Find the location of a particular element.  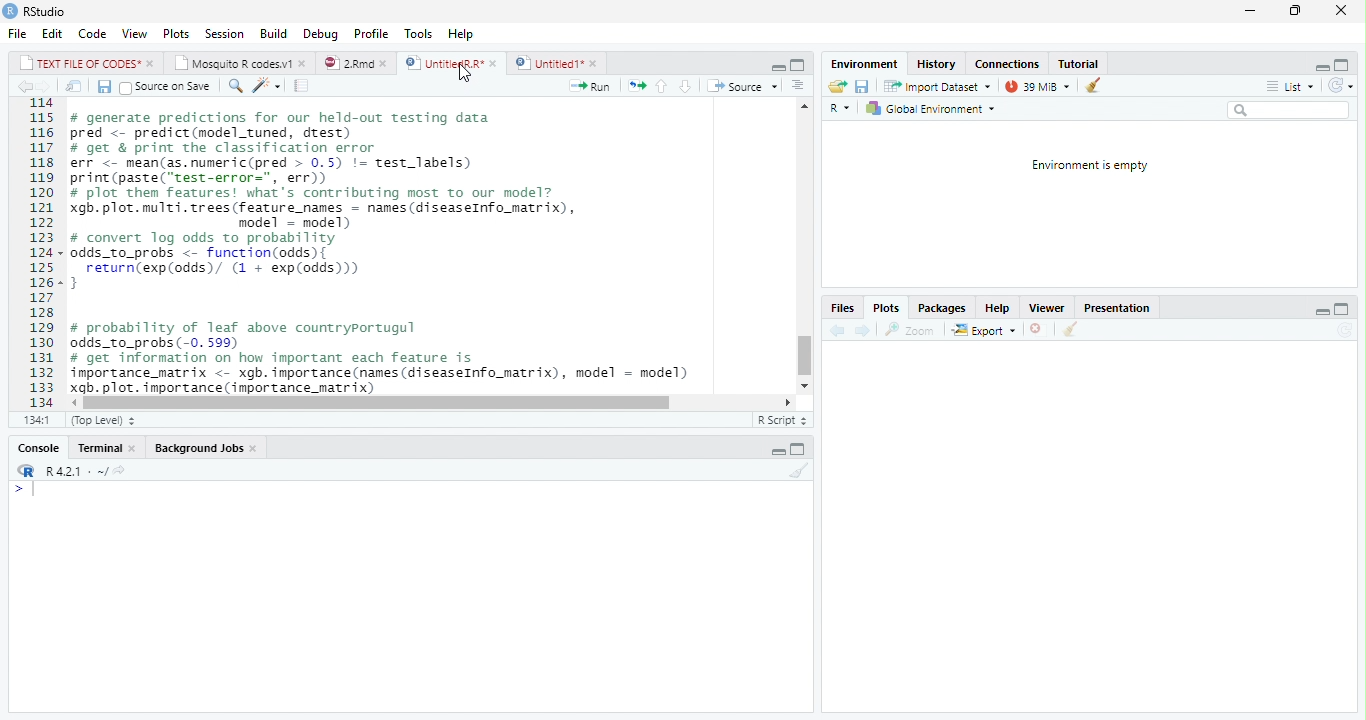

Terminal is located at coordinates (105, 449).